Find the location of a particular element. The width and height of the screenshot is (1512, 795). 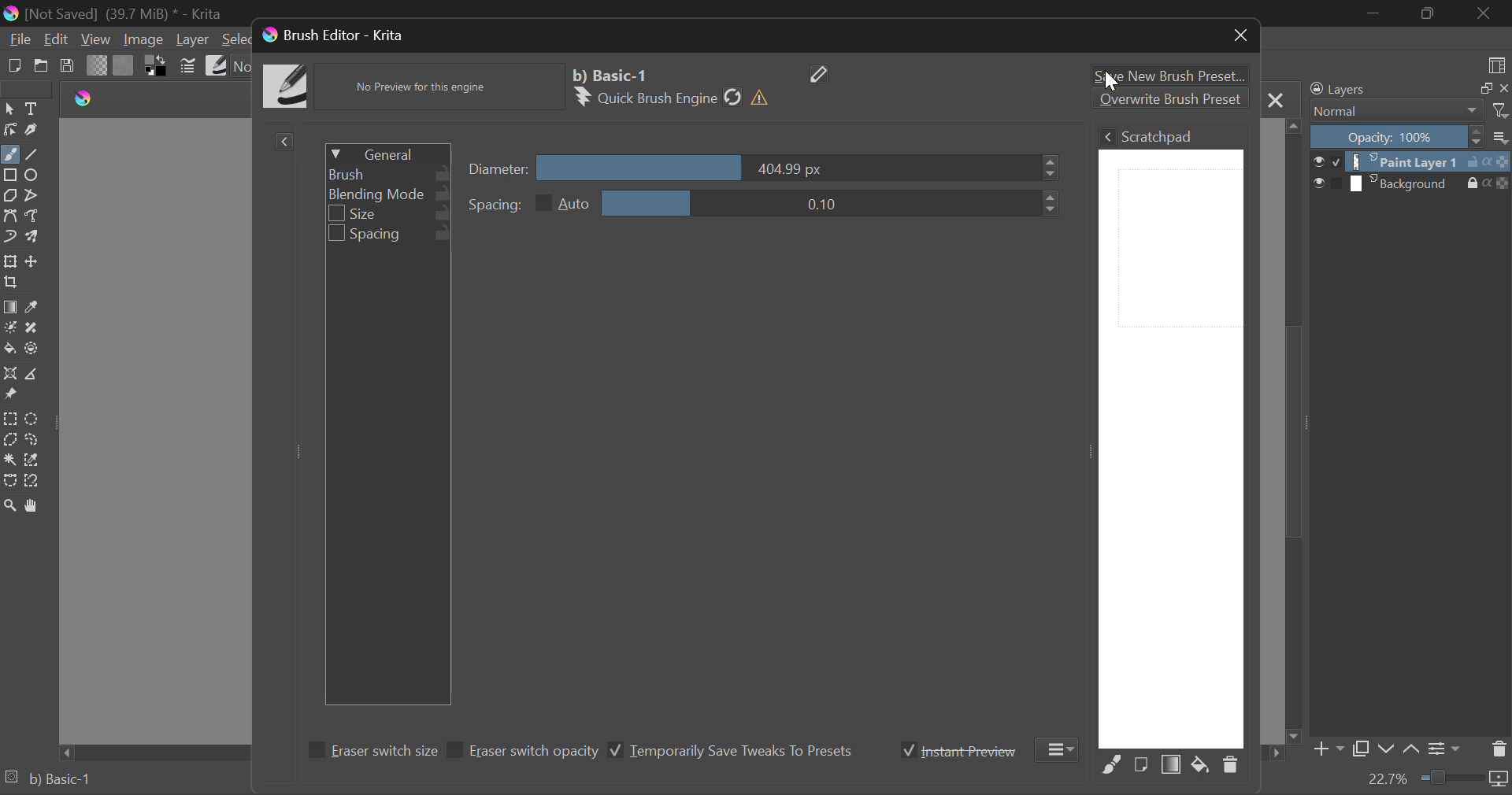

Select is located at coordinates (9, 109).